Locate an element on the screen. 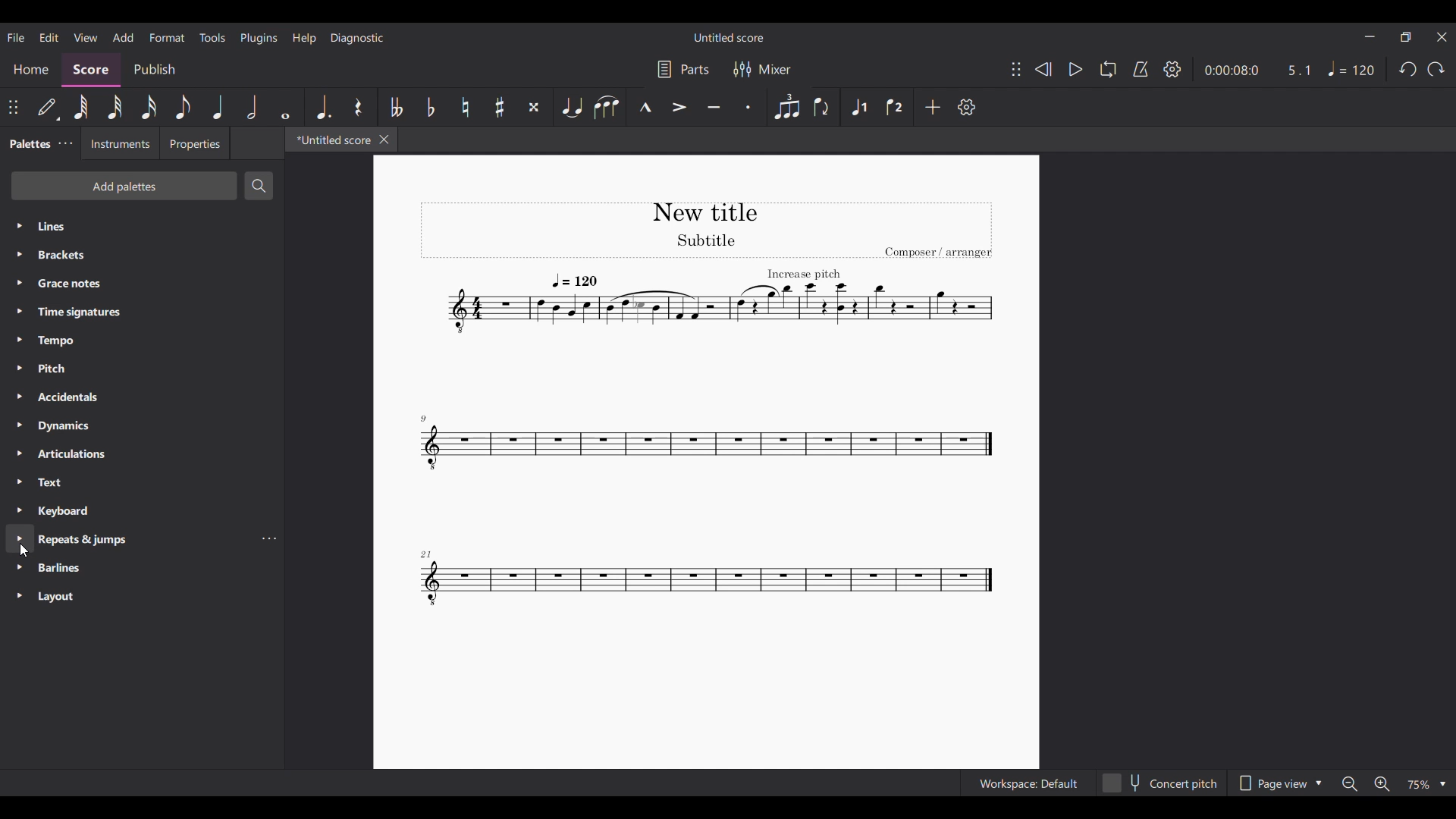 The width and height of the screenshot is (1456, 819). Tools menu is located at coordinates (212, 38).